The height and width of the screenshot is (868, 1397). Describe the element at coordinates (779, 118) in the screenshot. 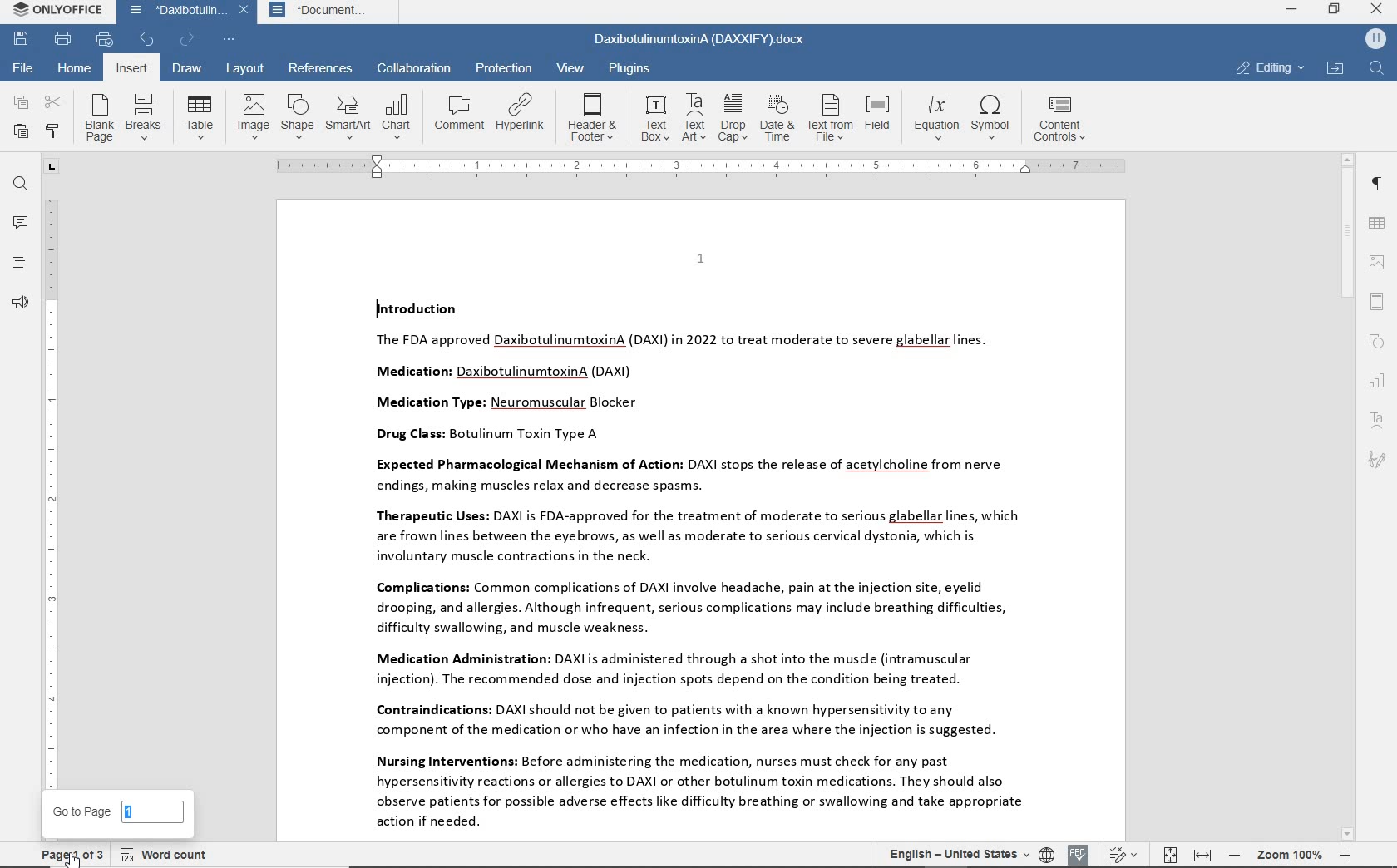

I see `date & time` at that location.